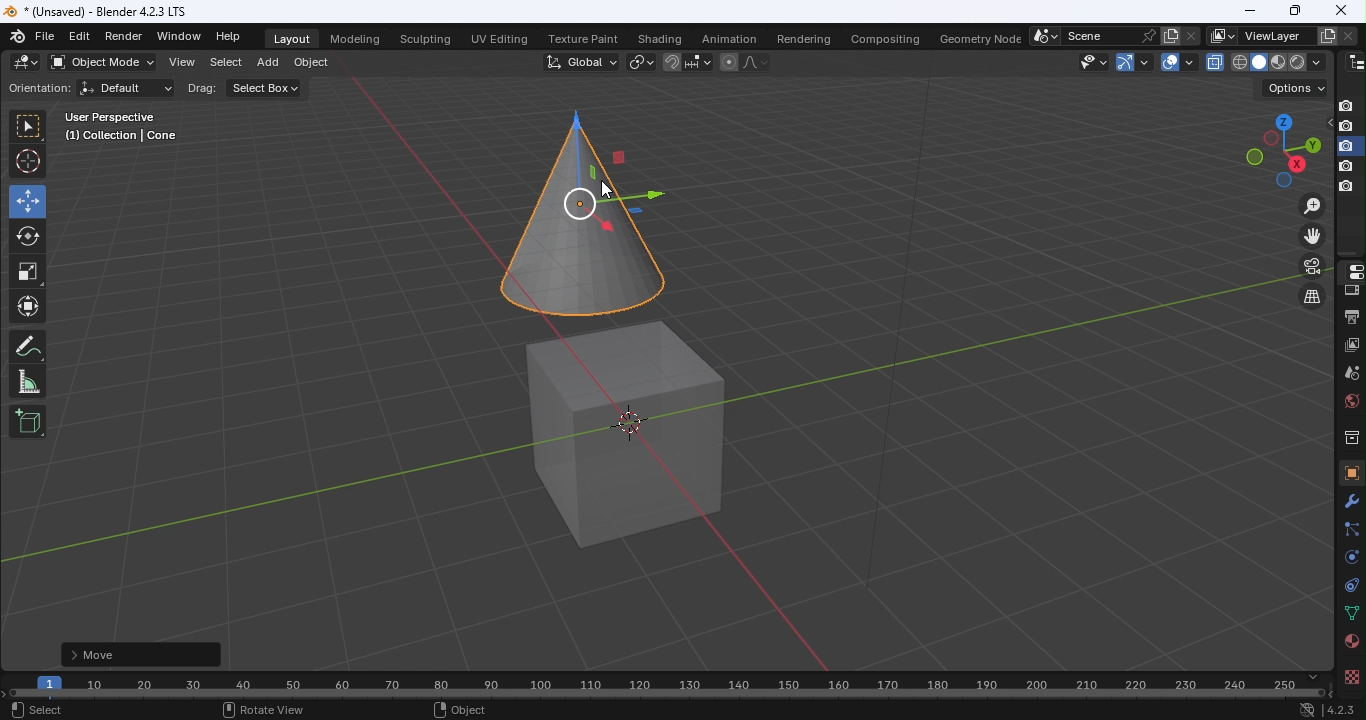 The width and height of the screenshot is (1366, 720). Describe the element at coordinates (799, 36) in the screenshot. I see `Rendering` at that location.